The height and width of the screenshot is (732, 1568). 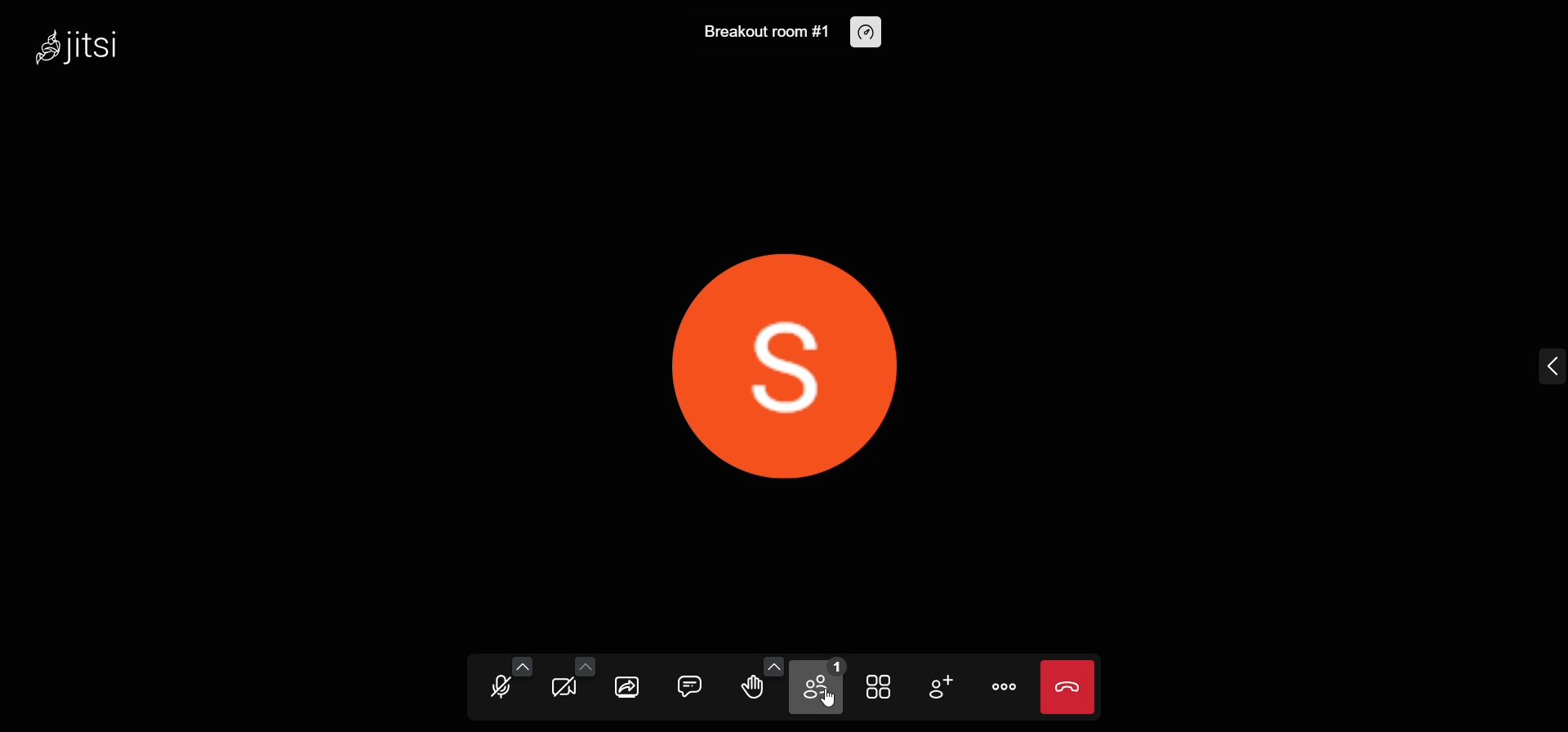 I want to click on expand, so click(x=1549, y=366).